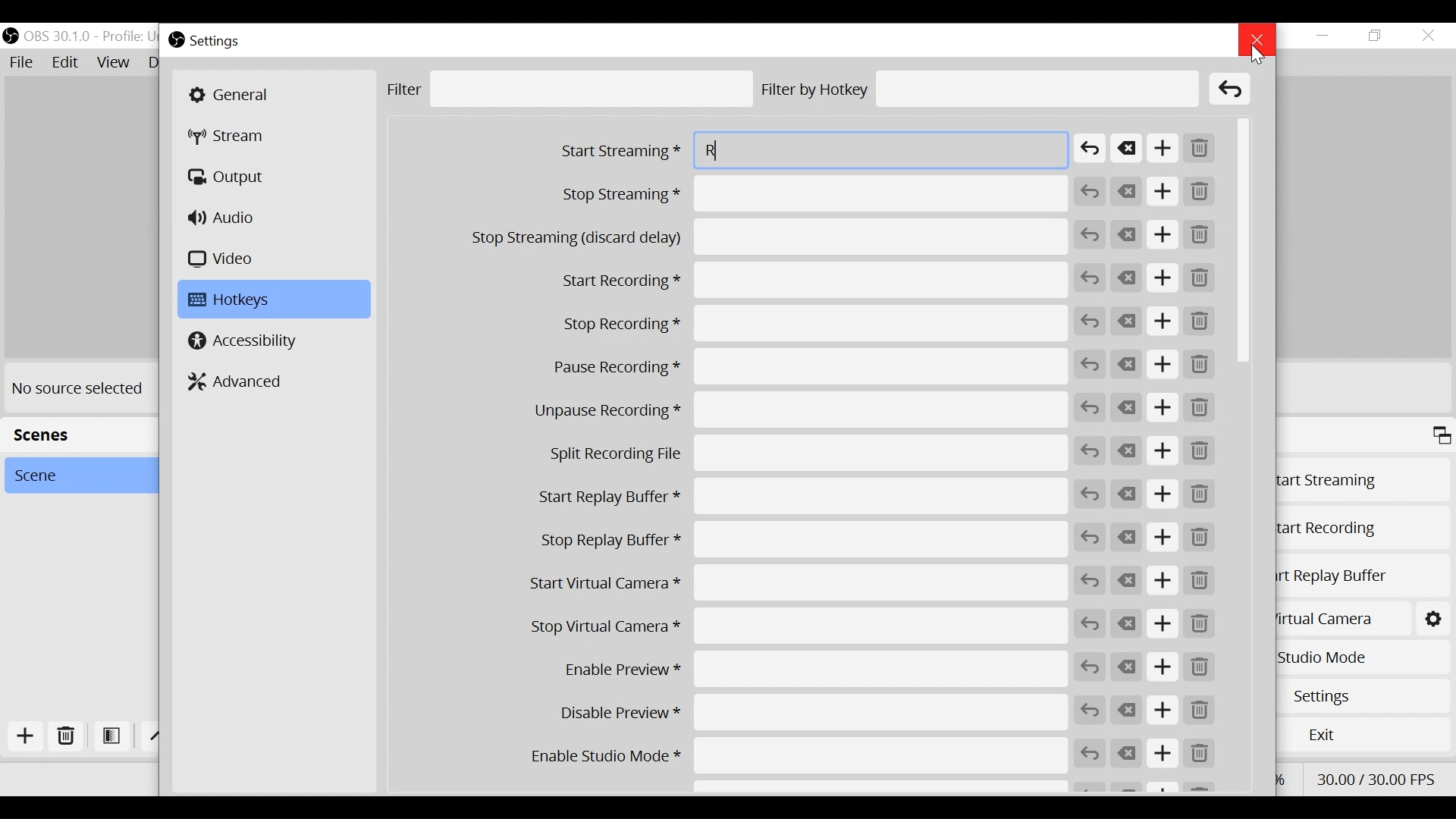 This screenshot has width=1456, height=819. I want to click on Revert, so click(1090, 624).